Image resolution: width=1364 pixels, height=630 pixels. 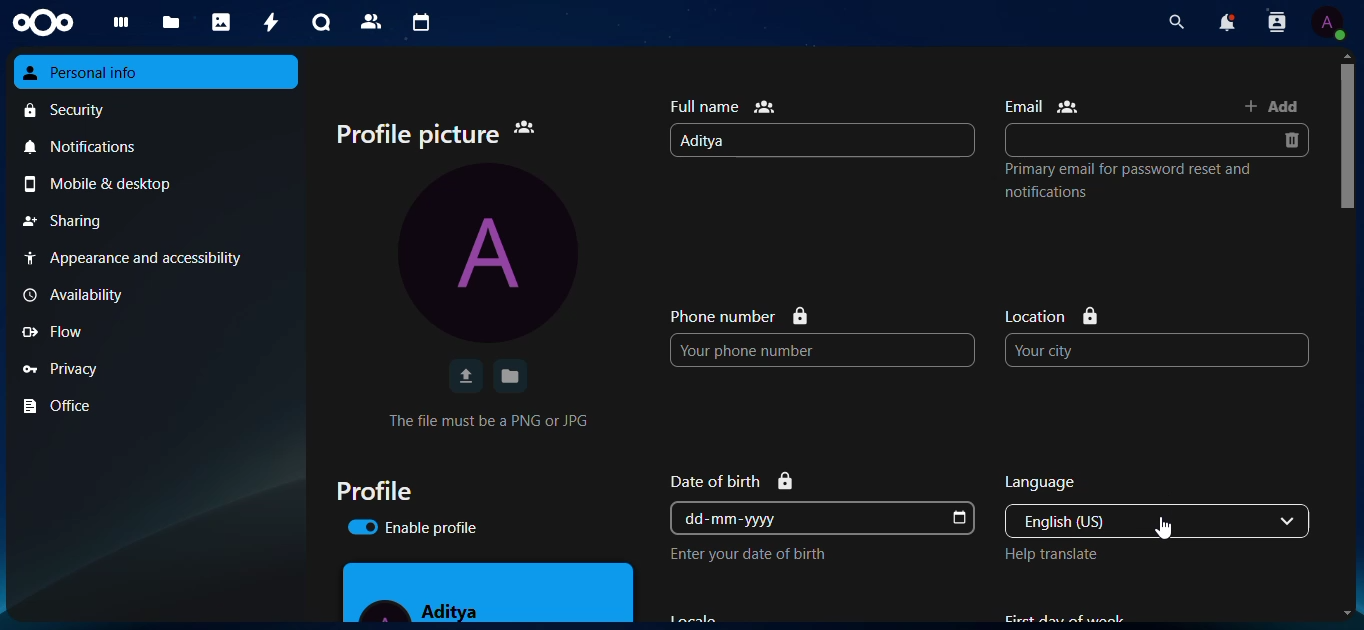 What do you see at coordinates (1059, 557) in the screenshot?
I see `help` at bounding box center [1059, 557].